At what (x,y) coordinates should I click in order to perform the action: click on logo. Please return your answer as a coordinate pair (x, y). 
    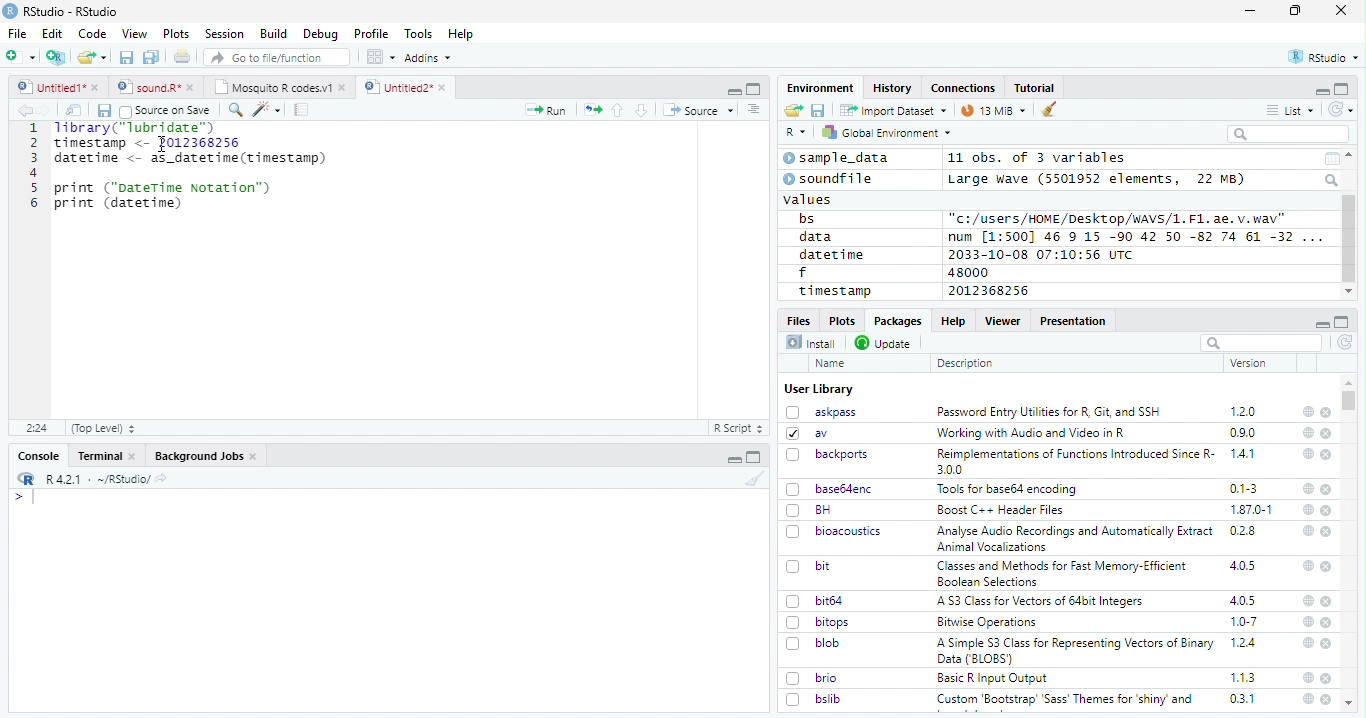
    Looking at the image, I should click on (10, 11).